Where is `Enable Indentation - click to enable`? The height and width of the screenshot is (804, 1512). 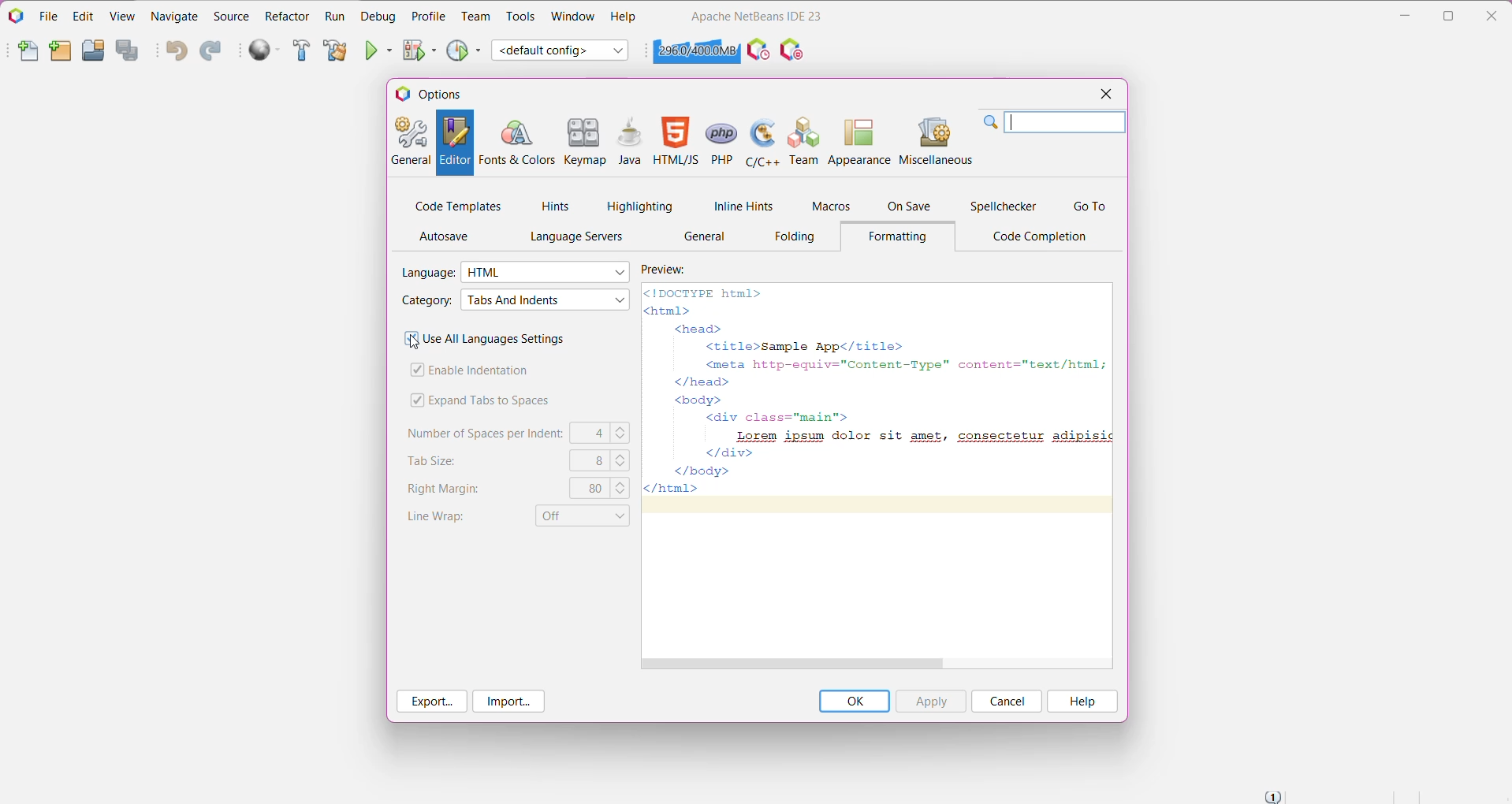 Enable Indentation - click to enable is located at coordinates (479, 370).